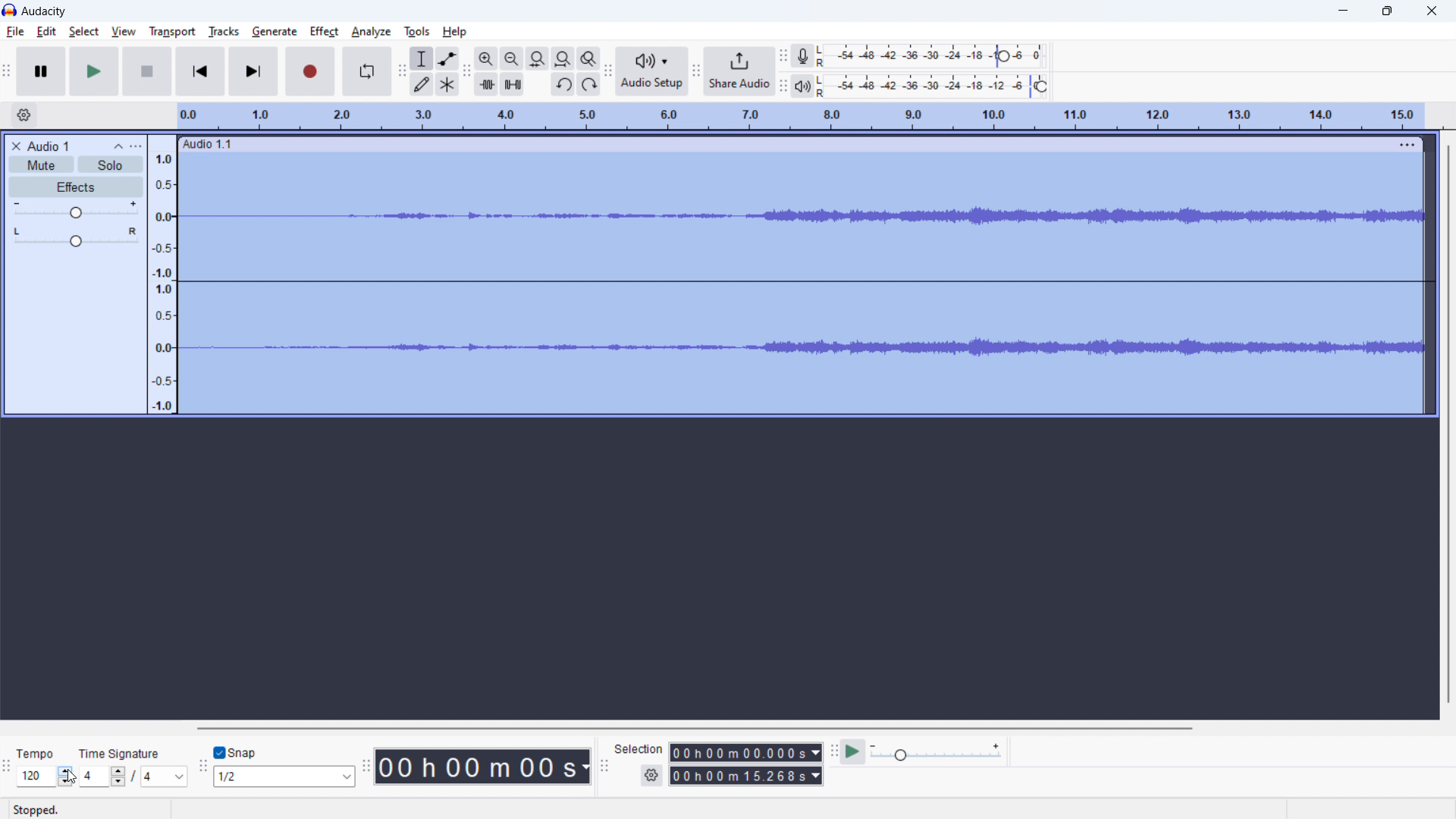  Describe the element at coordinates (255, 71) in the screenshot. I see `skip to last` at that location.